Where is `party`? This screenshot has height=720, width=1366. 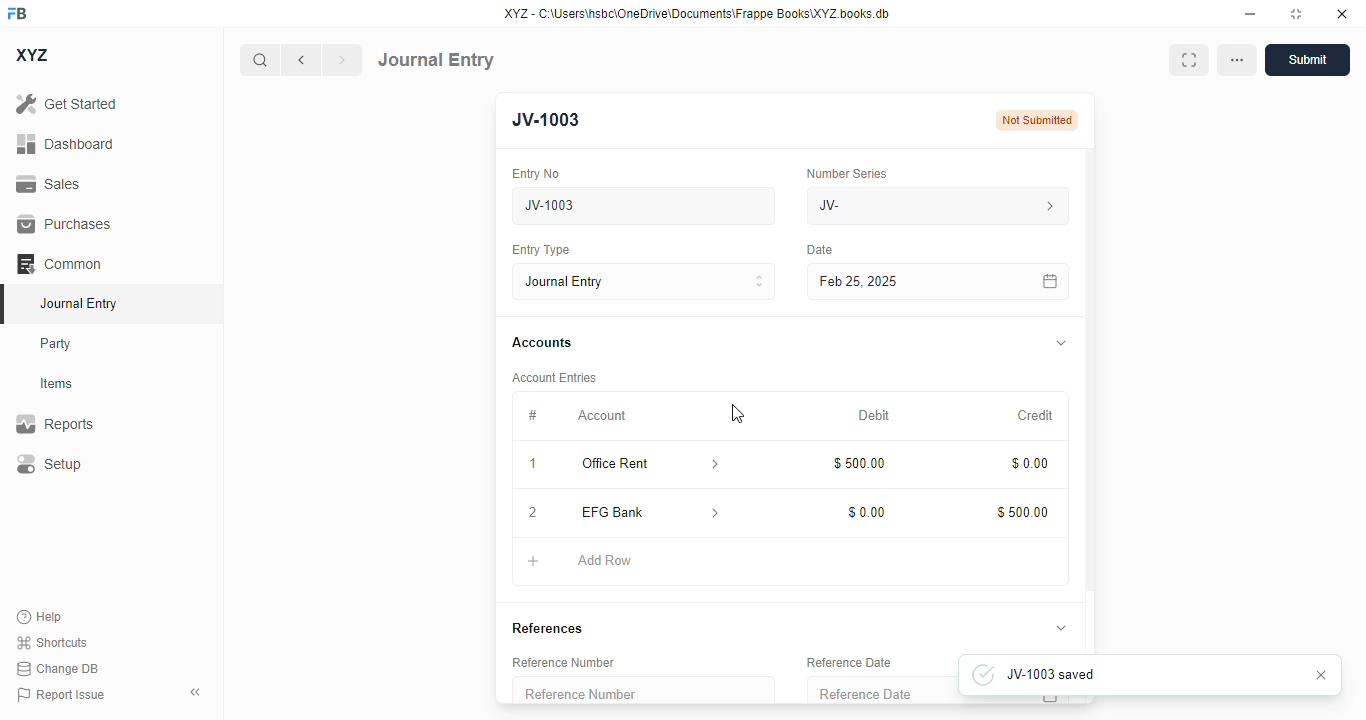
party is located at coordinates (56, 344).